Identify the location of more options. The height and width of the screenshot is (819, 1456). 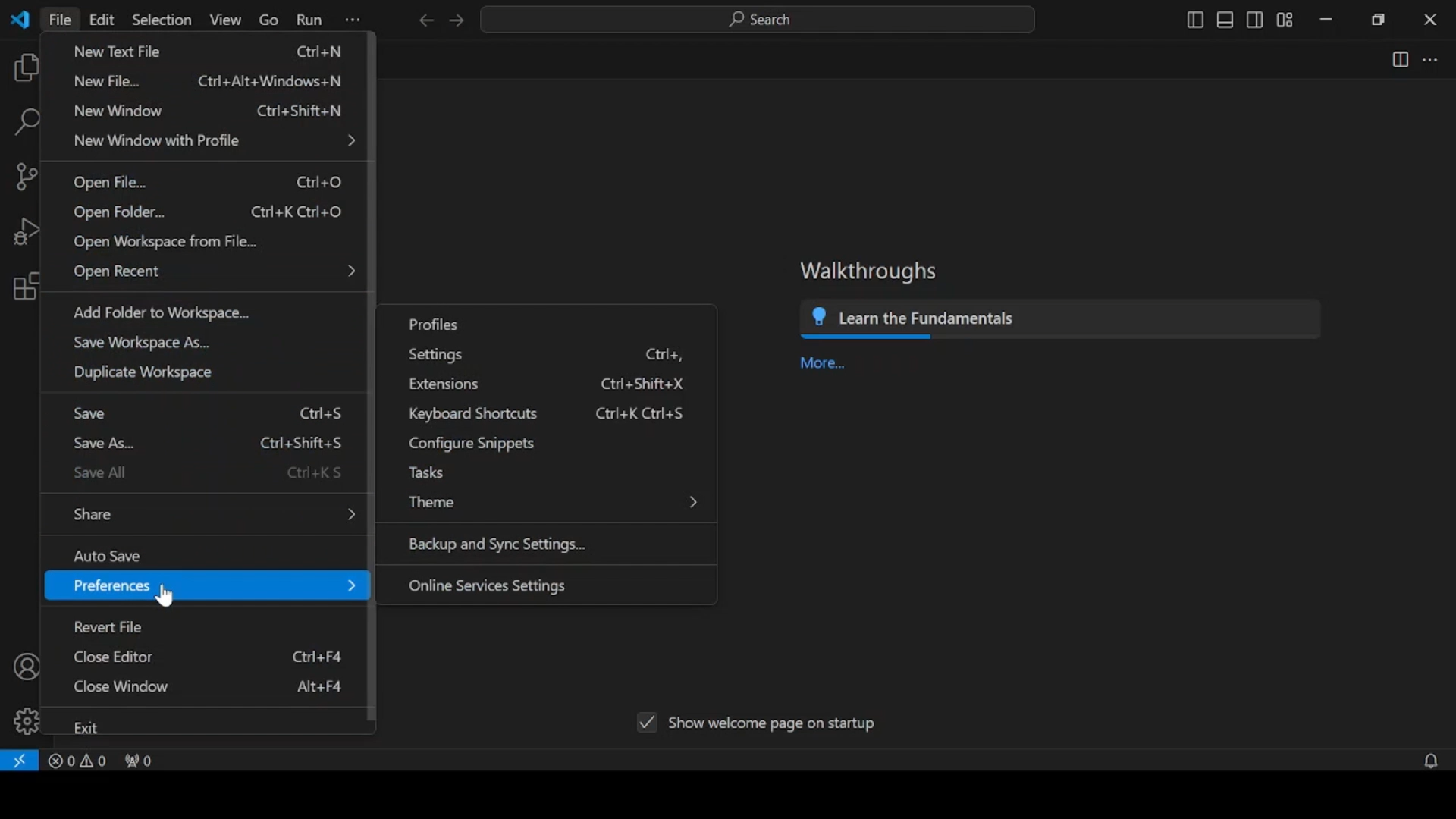
(355, 20).